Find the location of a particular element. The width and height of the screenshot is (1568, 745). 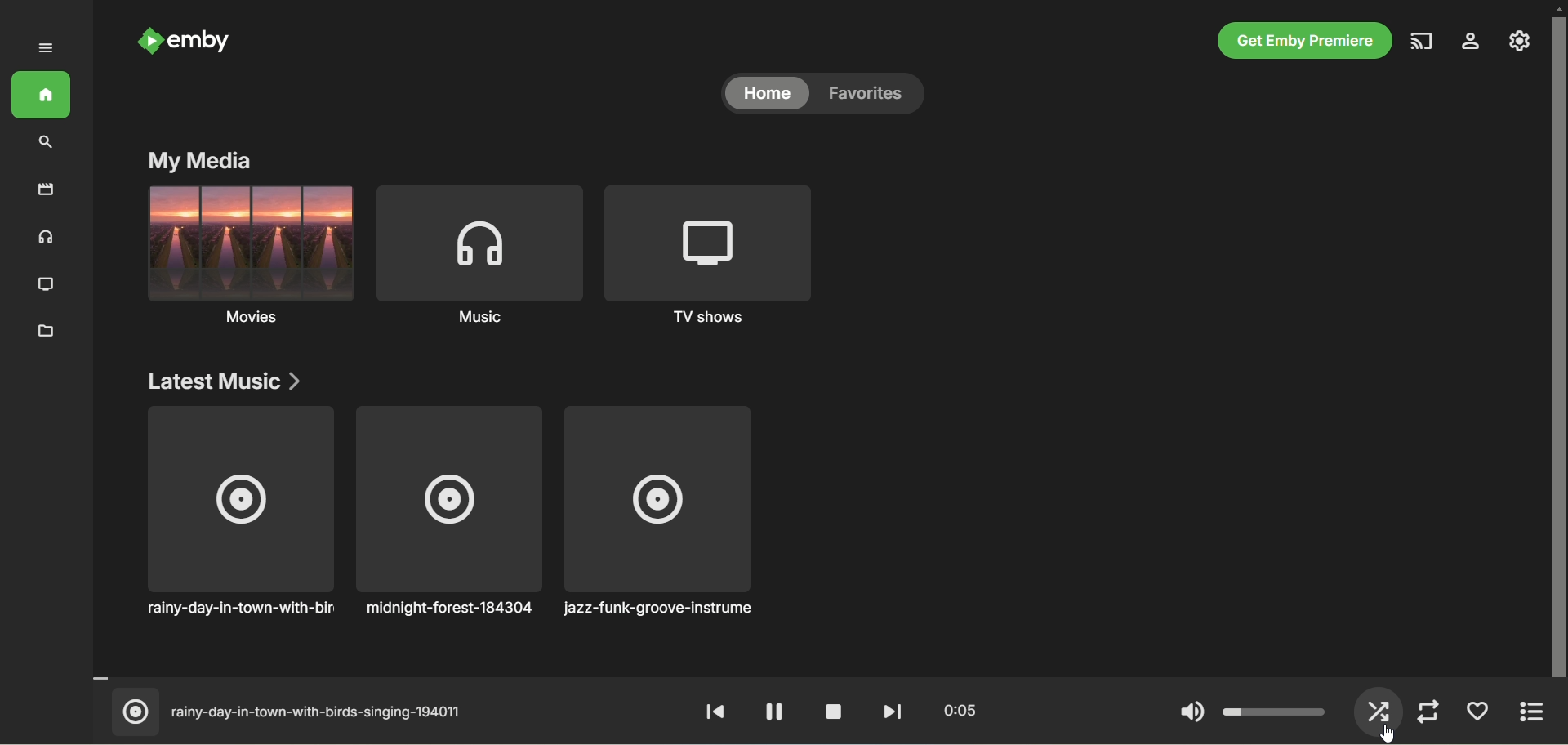

expand is located at coordinates (45, 48).